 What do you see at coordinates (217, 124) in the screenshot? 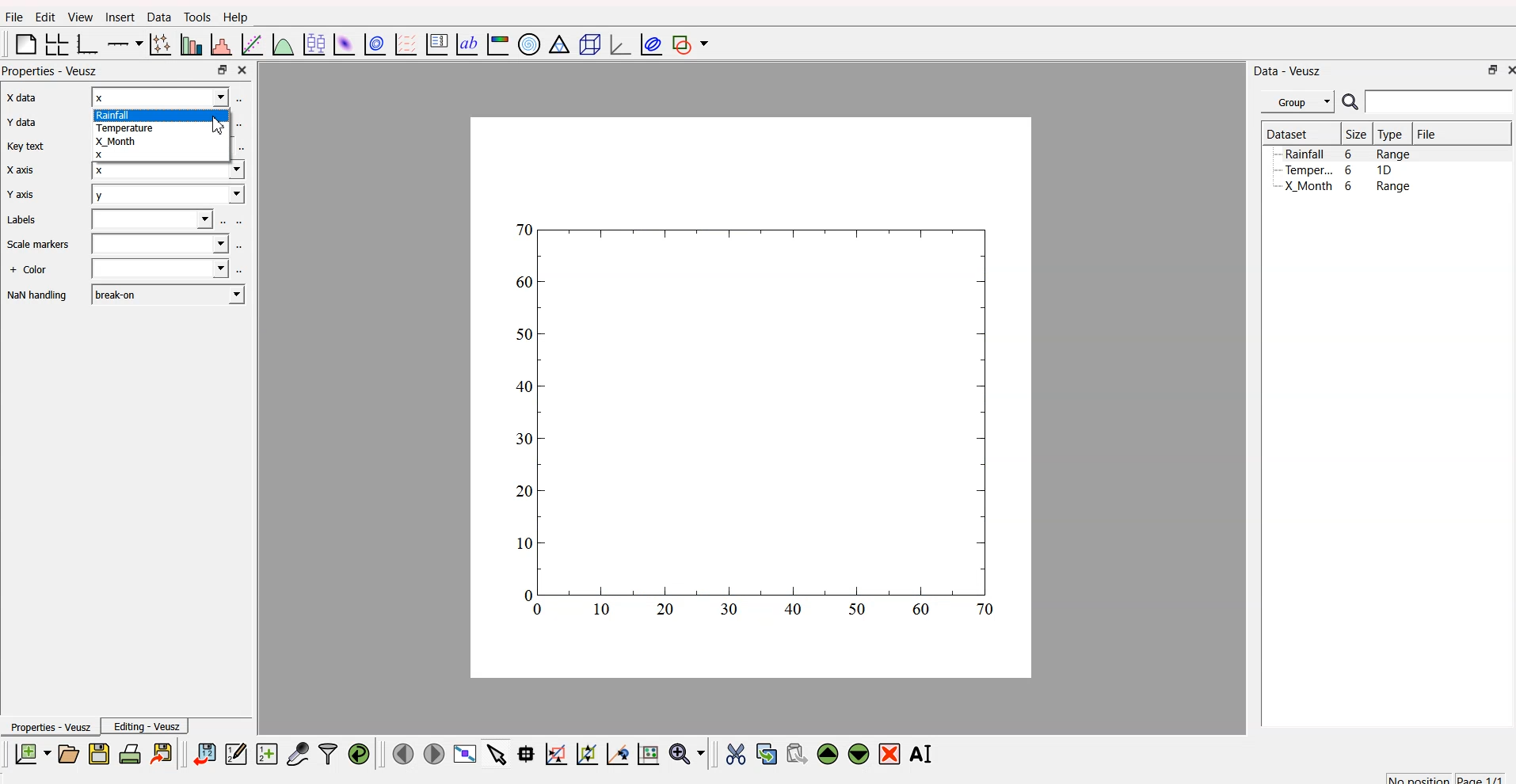
I see `cursor` at bounding box center [217, 124].